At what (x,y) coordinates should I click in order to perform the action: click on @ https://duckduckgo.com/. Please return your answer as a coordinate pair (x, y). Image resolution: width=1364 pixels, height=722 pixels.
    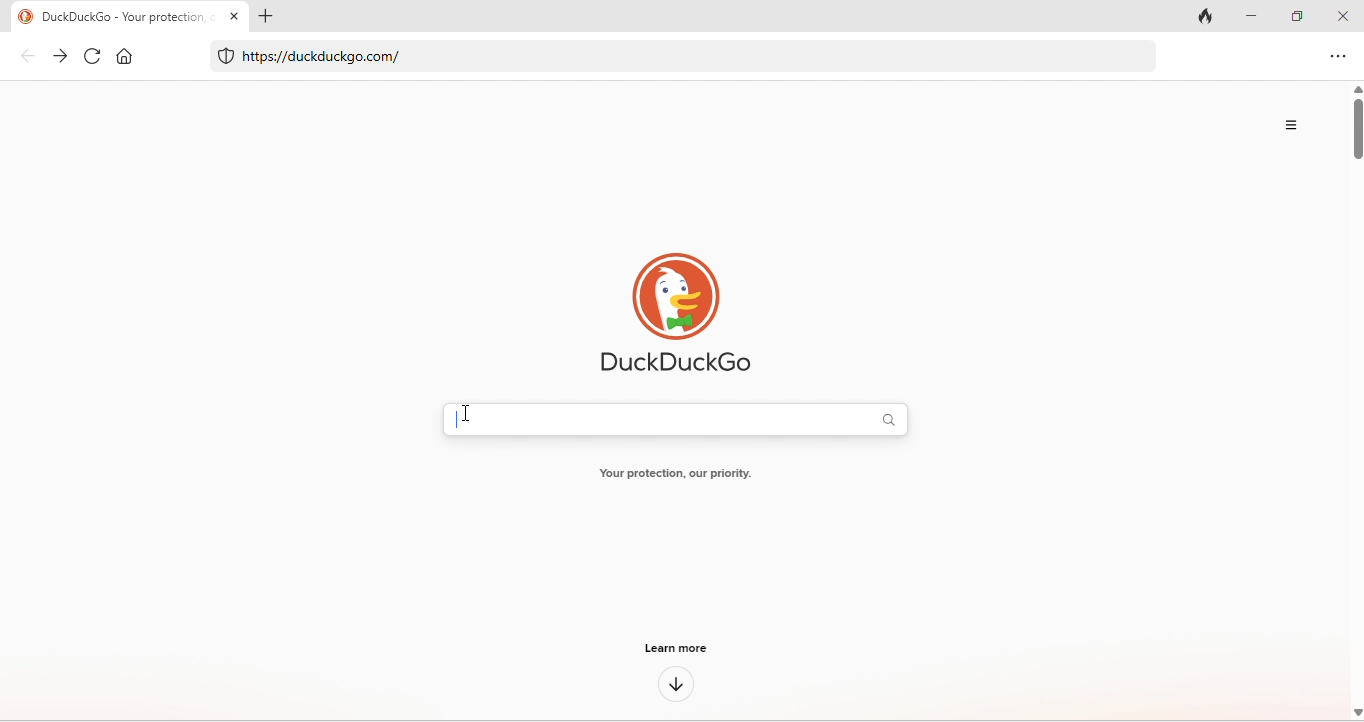
    Looking at the image, I should click on (323, 56).